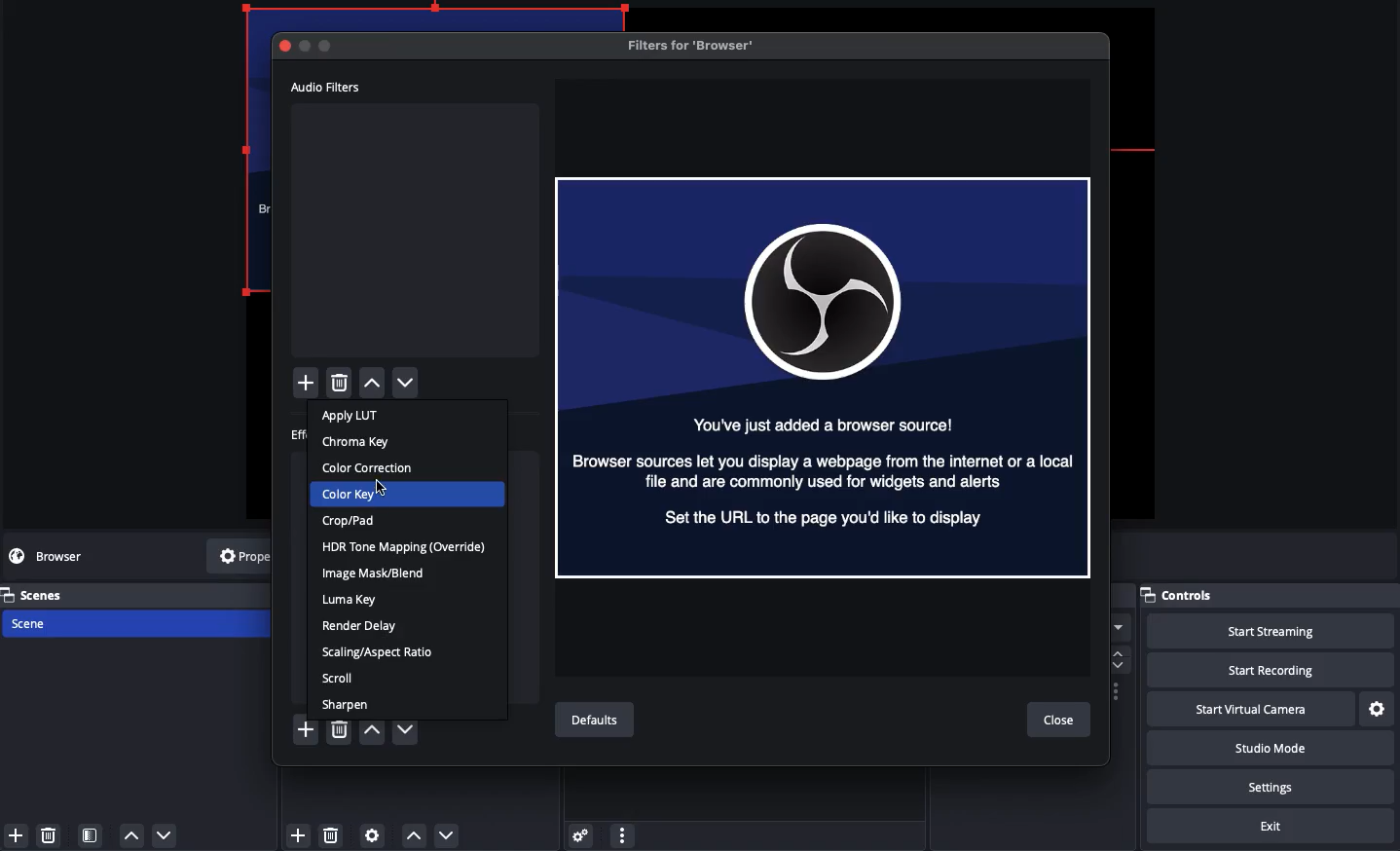 Image resolution: width=1400 pixels, height=851 pixels. Describe the element at coordinates (1269, 748) in the screenshot. I see `Studio` at that location.